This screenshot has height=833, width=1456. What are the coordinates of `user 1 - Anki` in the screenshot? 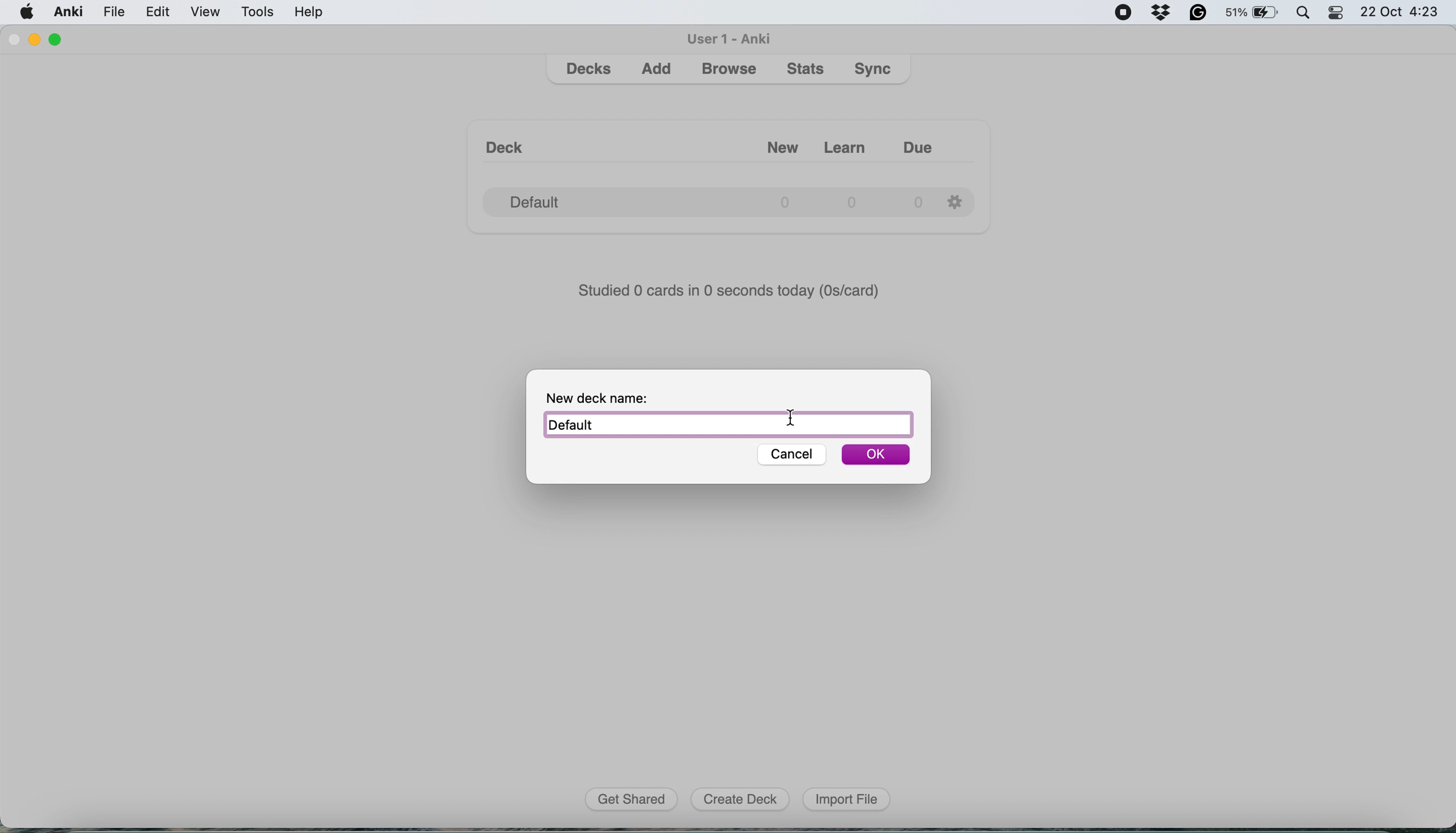 It's located at (730, 38).